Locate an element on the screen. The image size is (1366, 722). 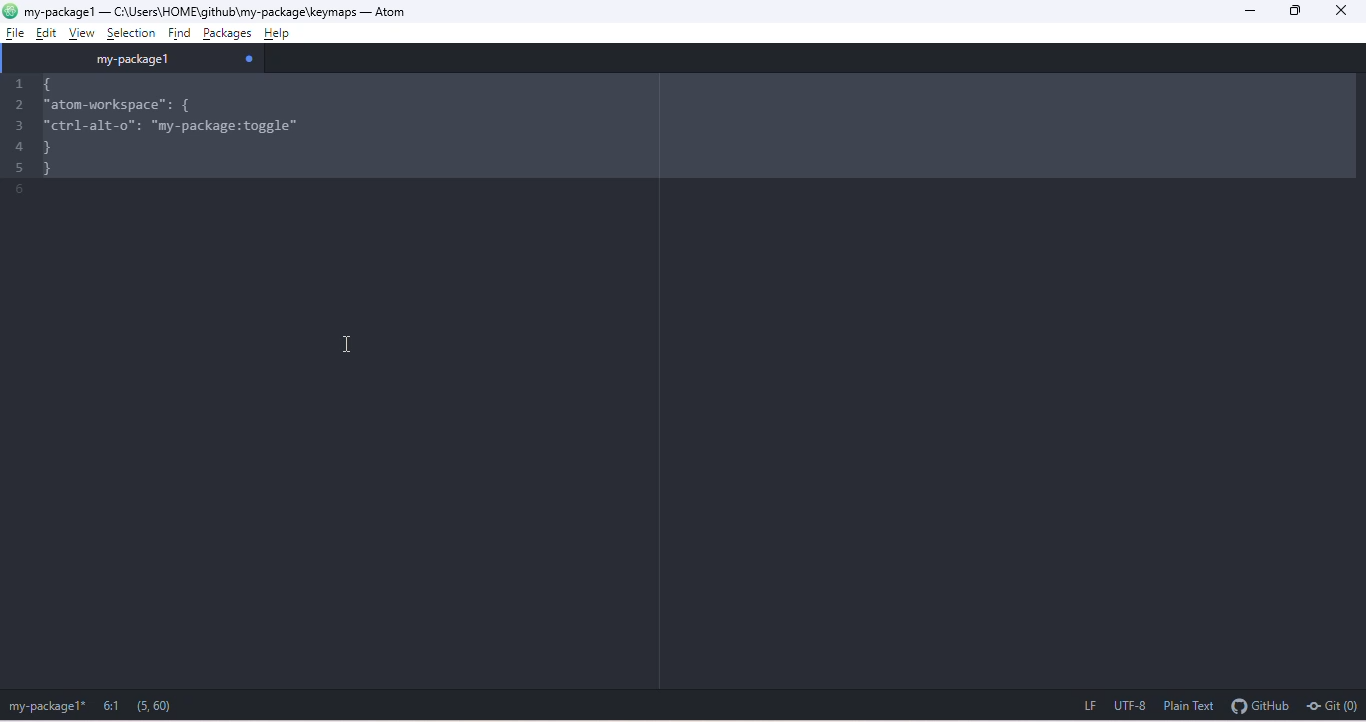
file is located at coordinates (12, 34).